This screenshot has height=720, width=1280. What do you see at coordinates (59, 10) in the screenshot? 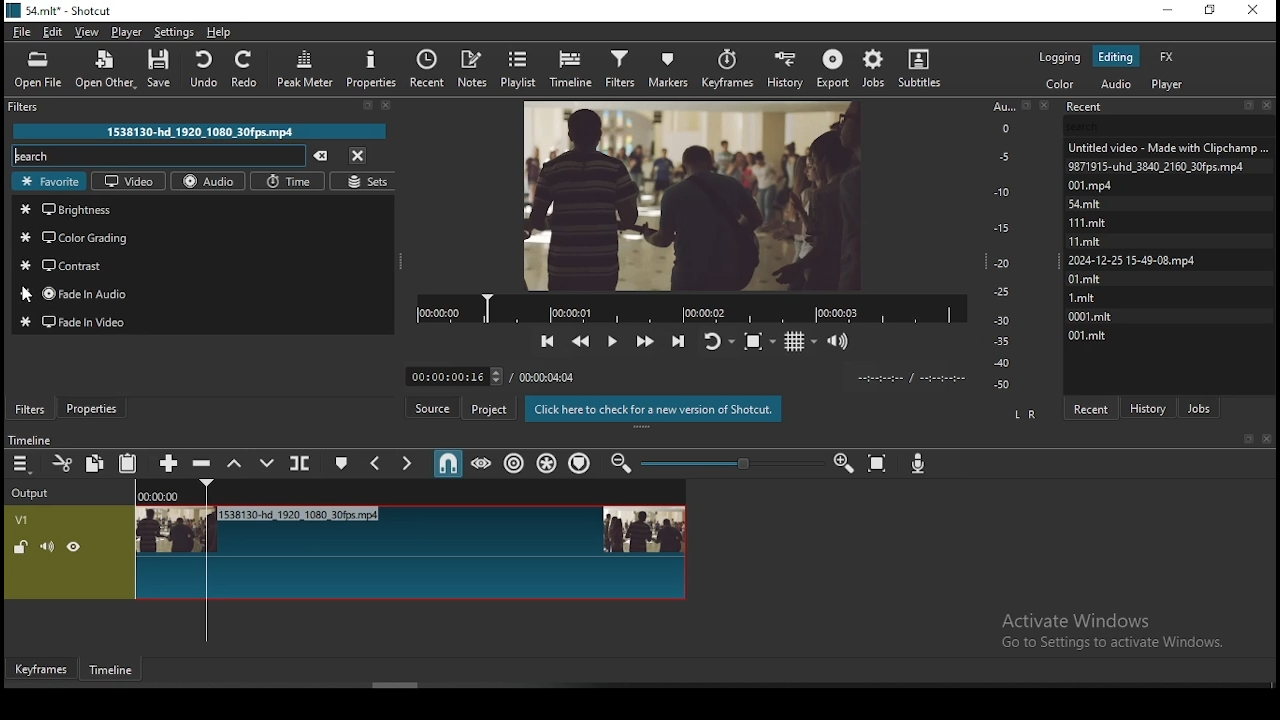
I see `S4.mit* - Shotcut` at bounding box center [59, 10].